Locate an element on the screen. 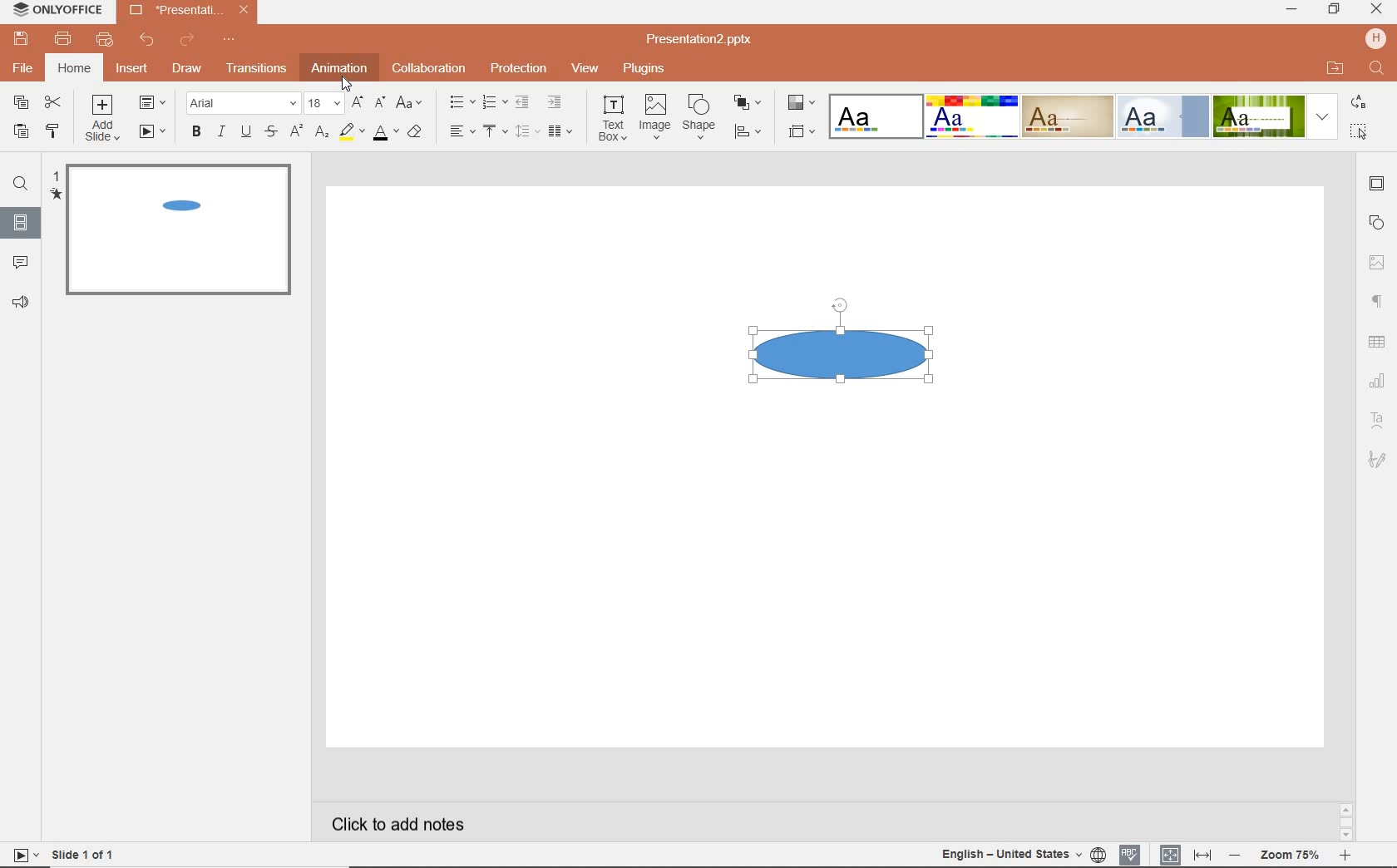 Image resolution: width=1397 pixels, height=868 pixels. home is located at coordinates (77, 68).